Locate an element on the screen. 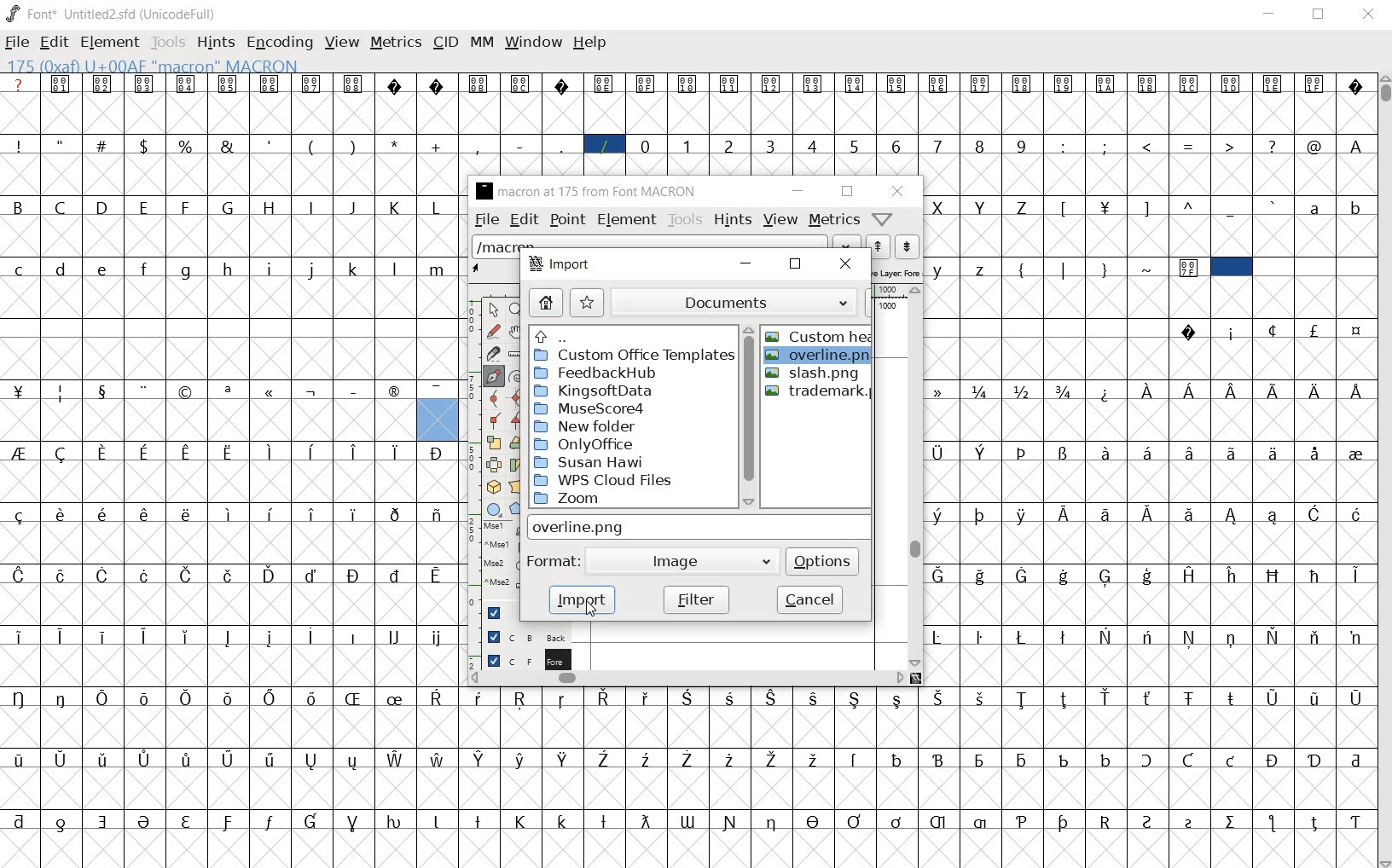 The image size is (1392, 868). Symbol is located at coordinates (396, 821).